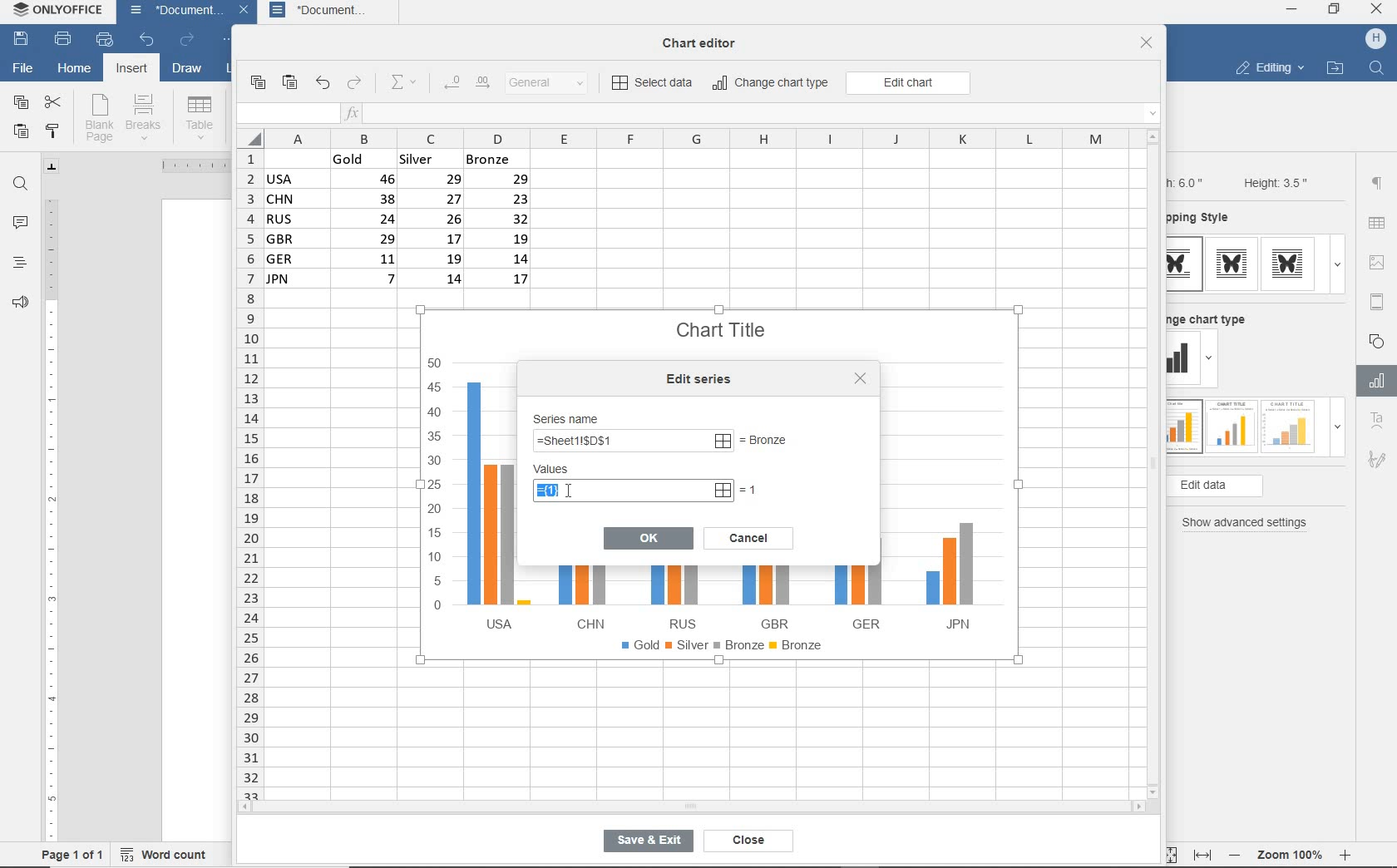 The width and height of the screenshot is (1397, 868). I want to click on zoom 100%, so click(1293, 852).